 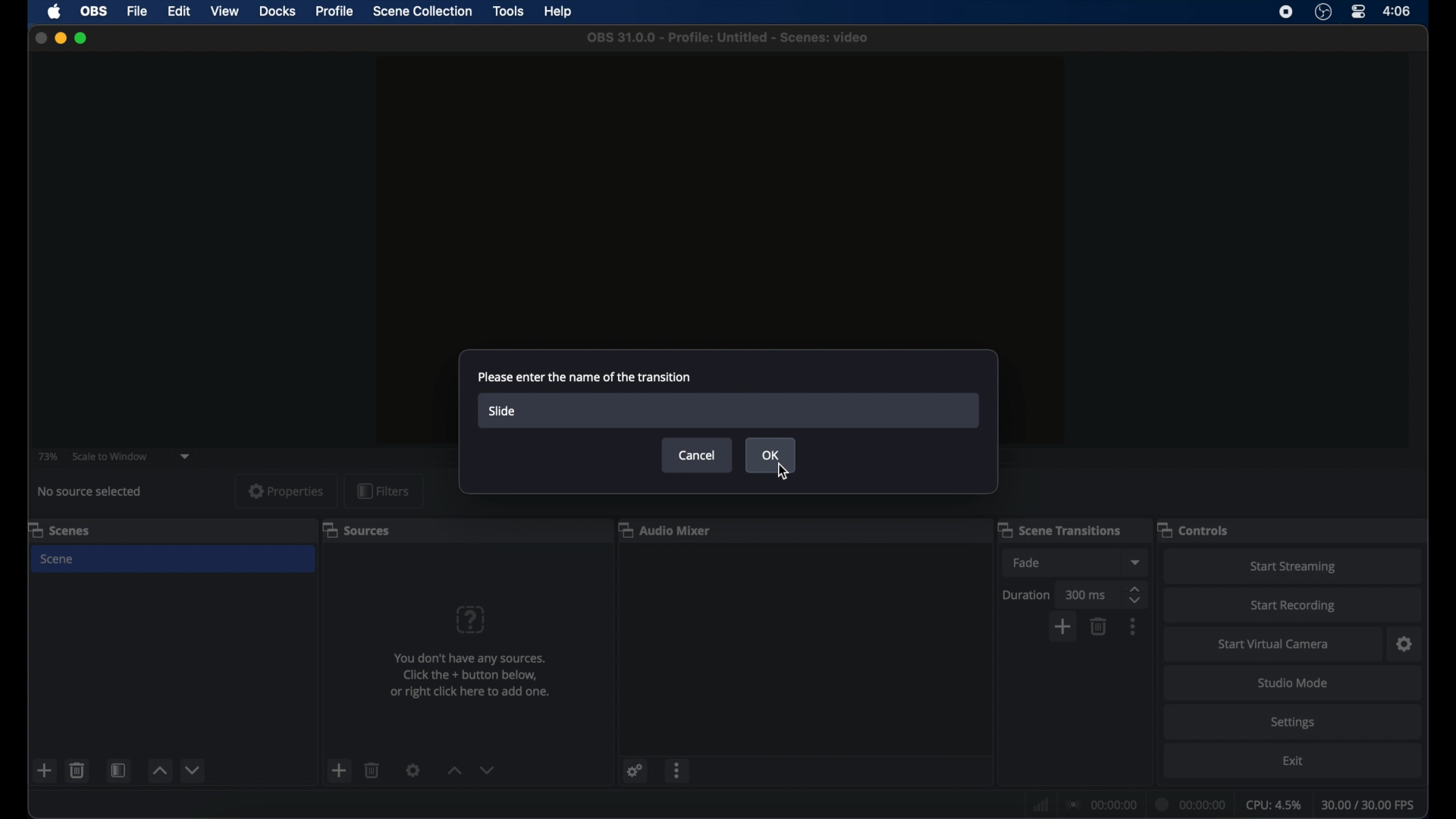 What do you see at coordinates (782, 472) in the screenshot?
I see `cursor` at bounding box center [782, 472].